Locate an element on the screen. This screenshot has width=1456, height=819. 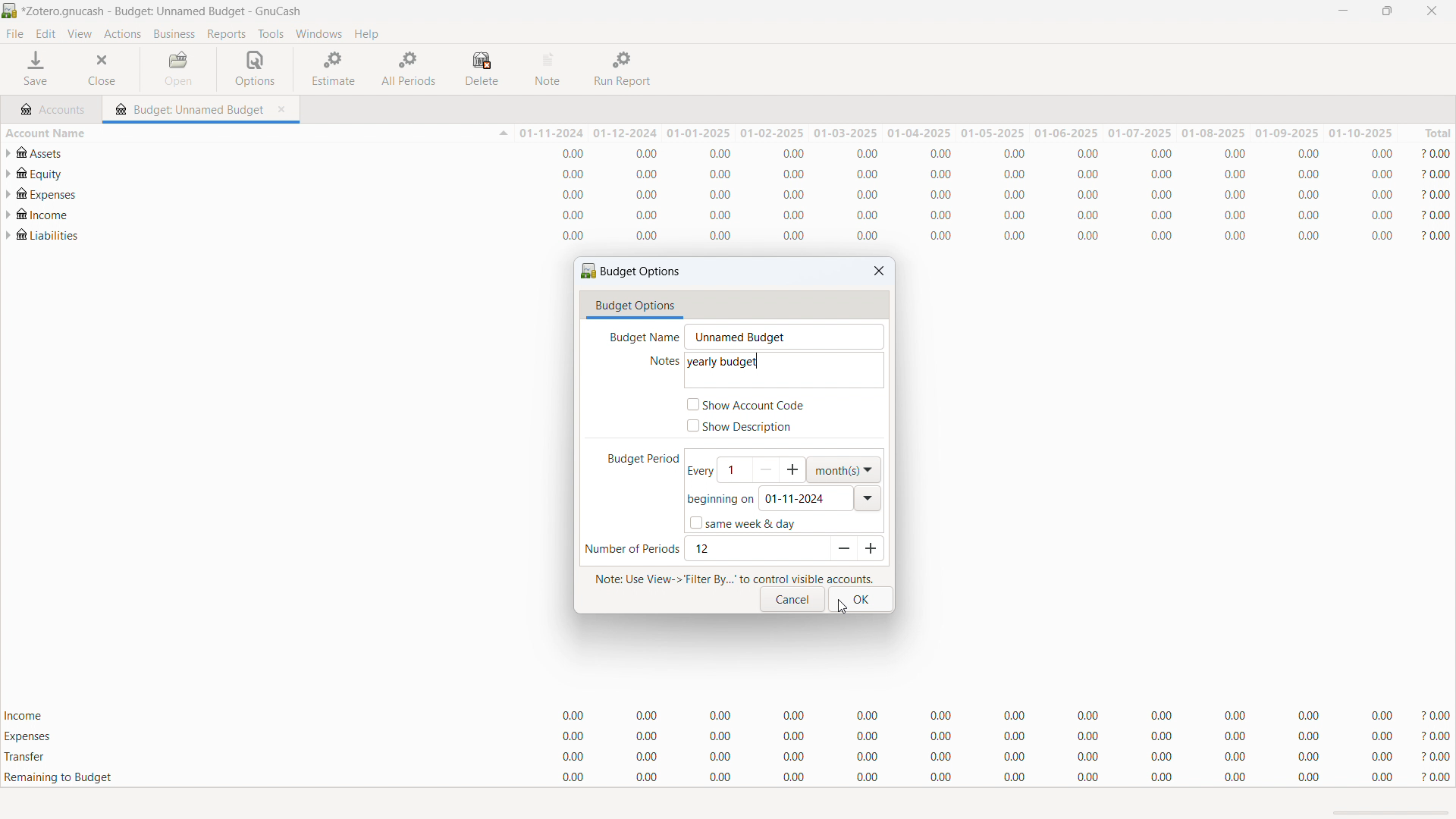
01-04-2025 is located at coordinates (916, 133).